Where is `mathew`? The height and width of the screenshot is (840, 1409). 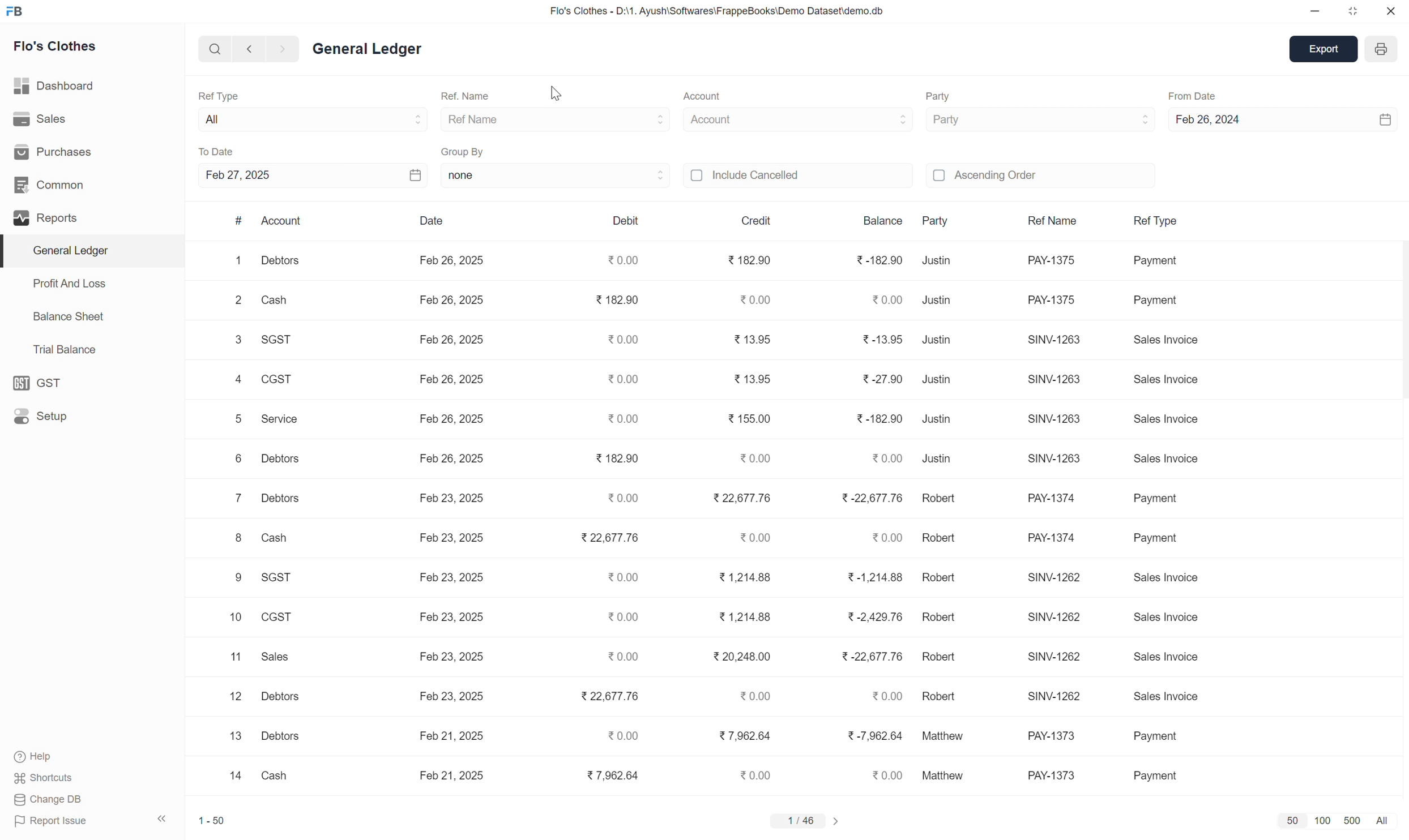
mathew is located at coordinates (947, 738).